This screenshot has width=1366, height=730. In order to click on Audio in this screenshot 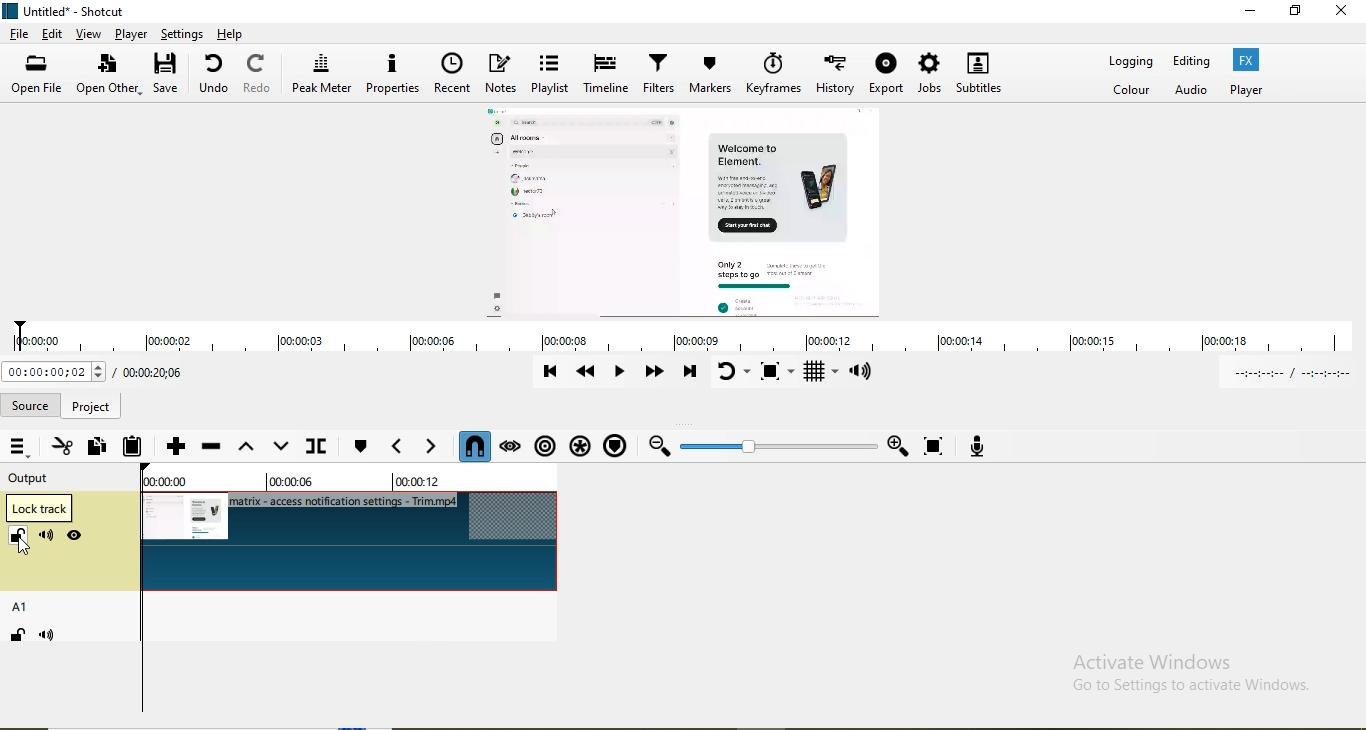, I will do `click(1188, 90)`.